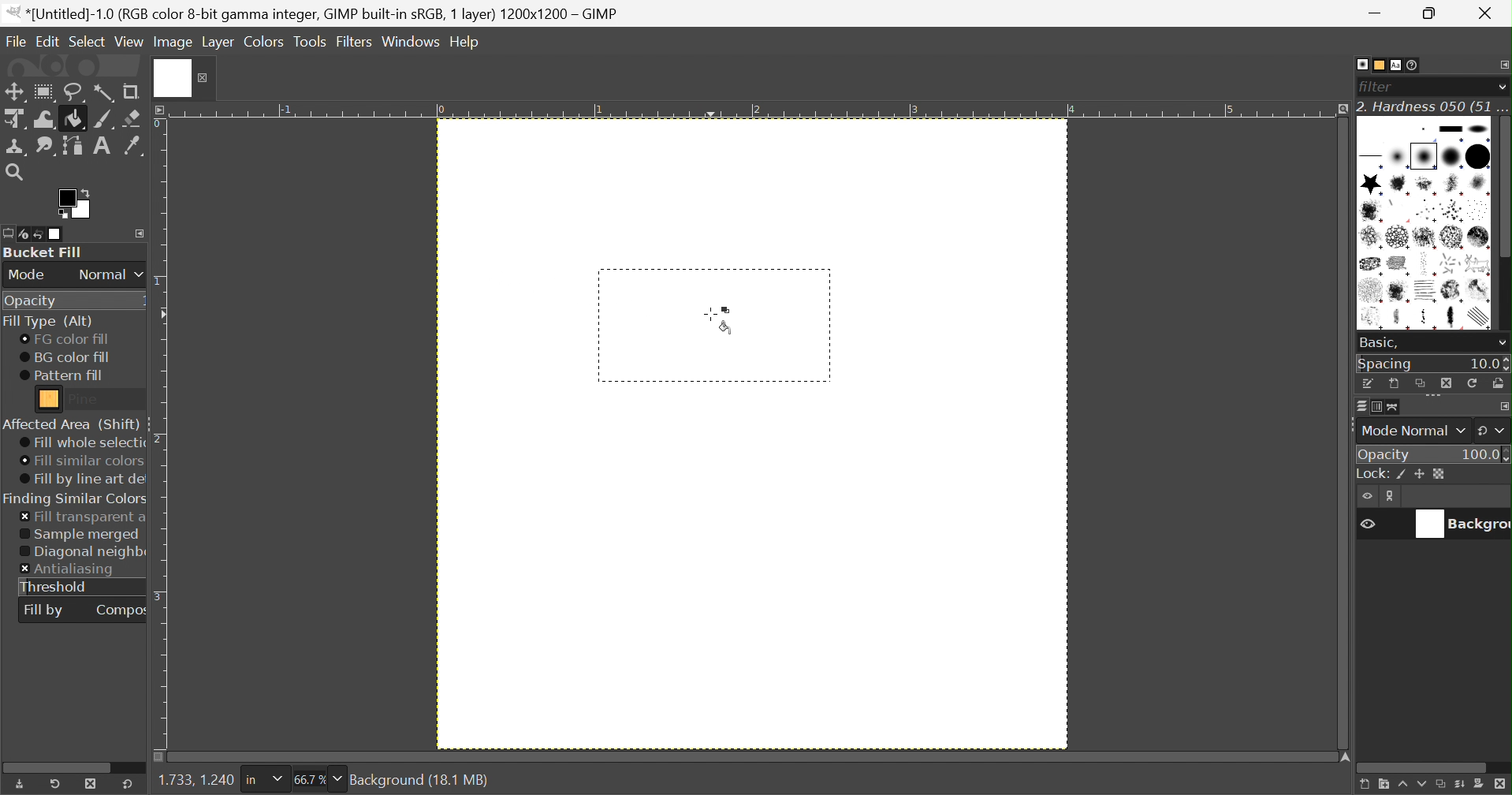 This screenshot has width=1512, height=795. Describe the element at coordinates (1421, 786) in the screenshot. I see `Lower this layer one step` at that location.